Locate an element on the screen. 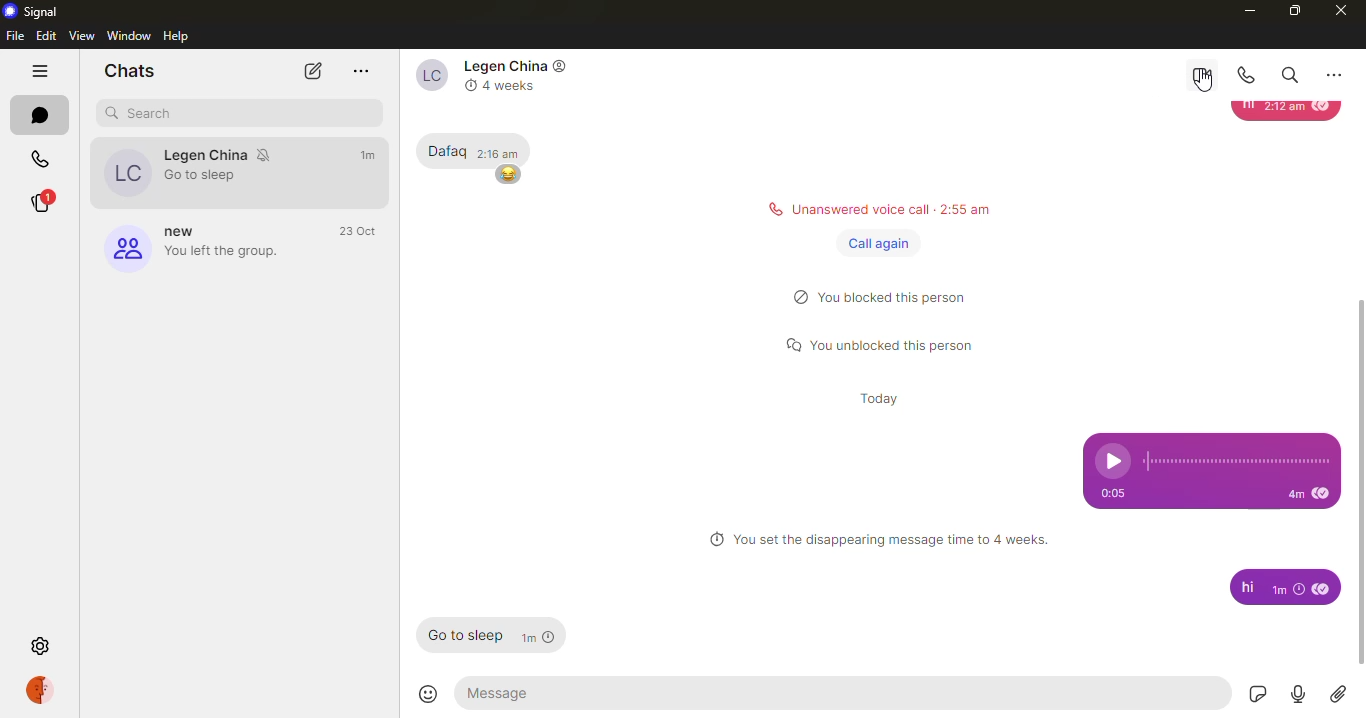 The image size is (1366, 718). blocked logo is located at coordinates (795, 297).